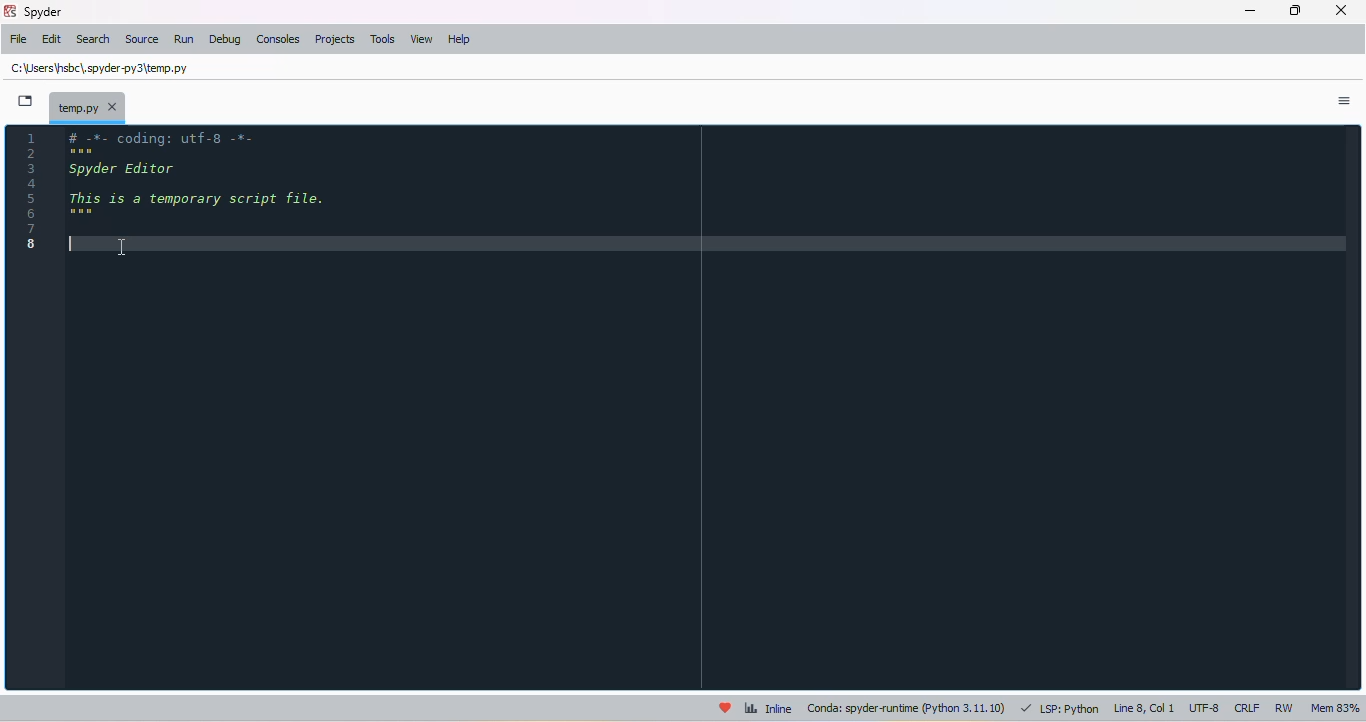  Describe the element at coordinates (1205, 709) in the screenshot. I see `UTF-8` at that location.